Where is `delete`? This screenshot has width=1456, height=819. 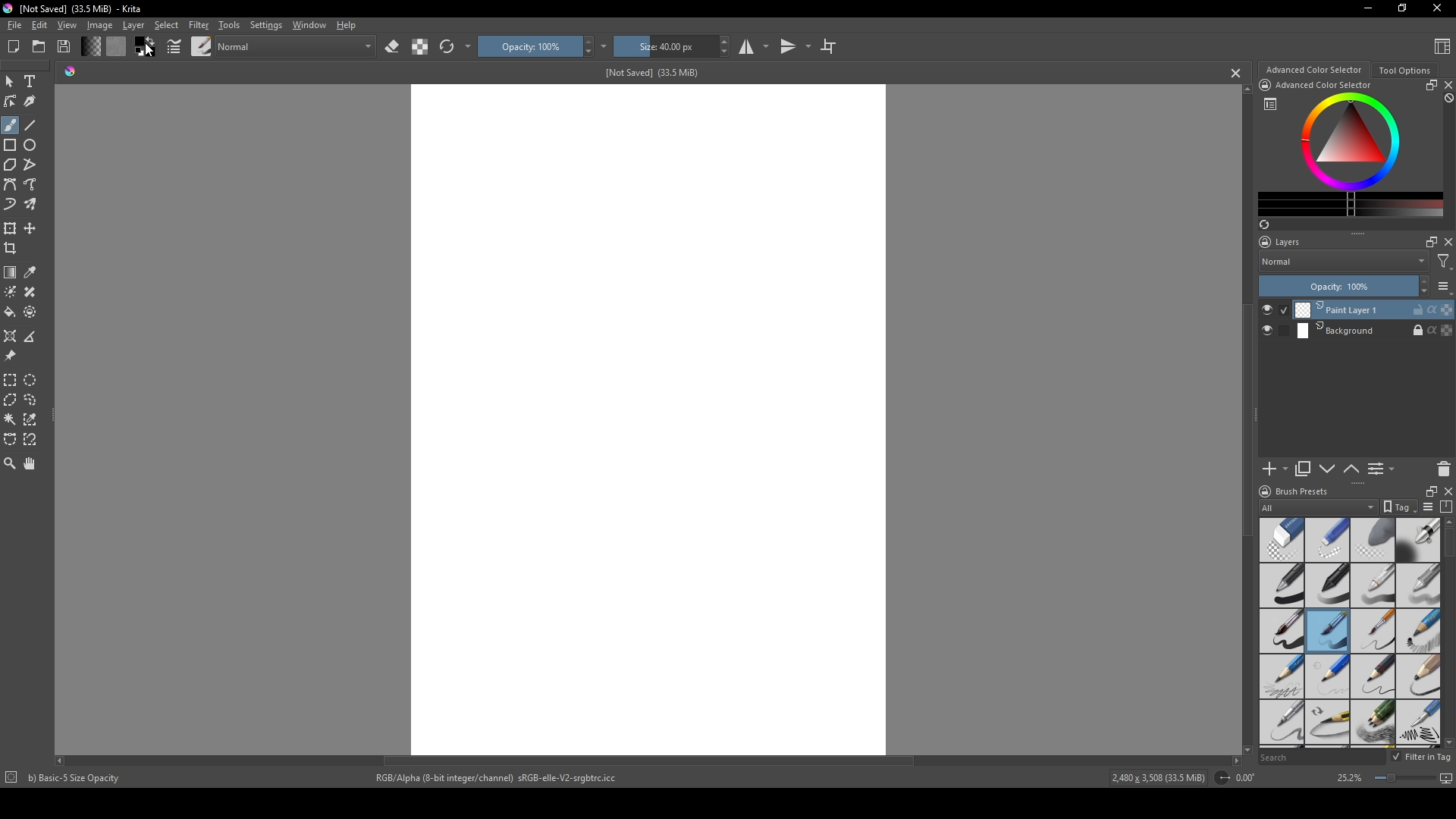
delete is located at coordinates (1444, 469).